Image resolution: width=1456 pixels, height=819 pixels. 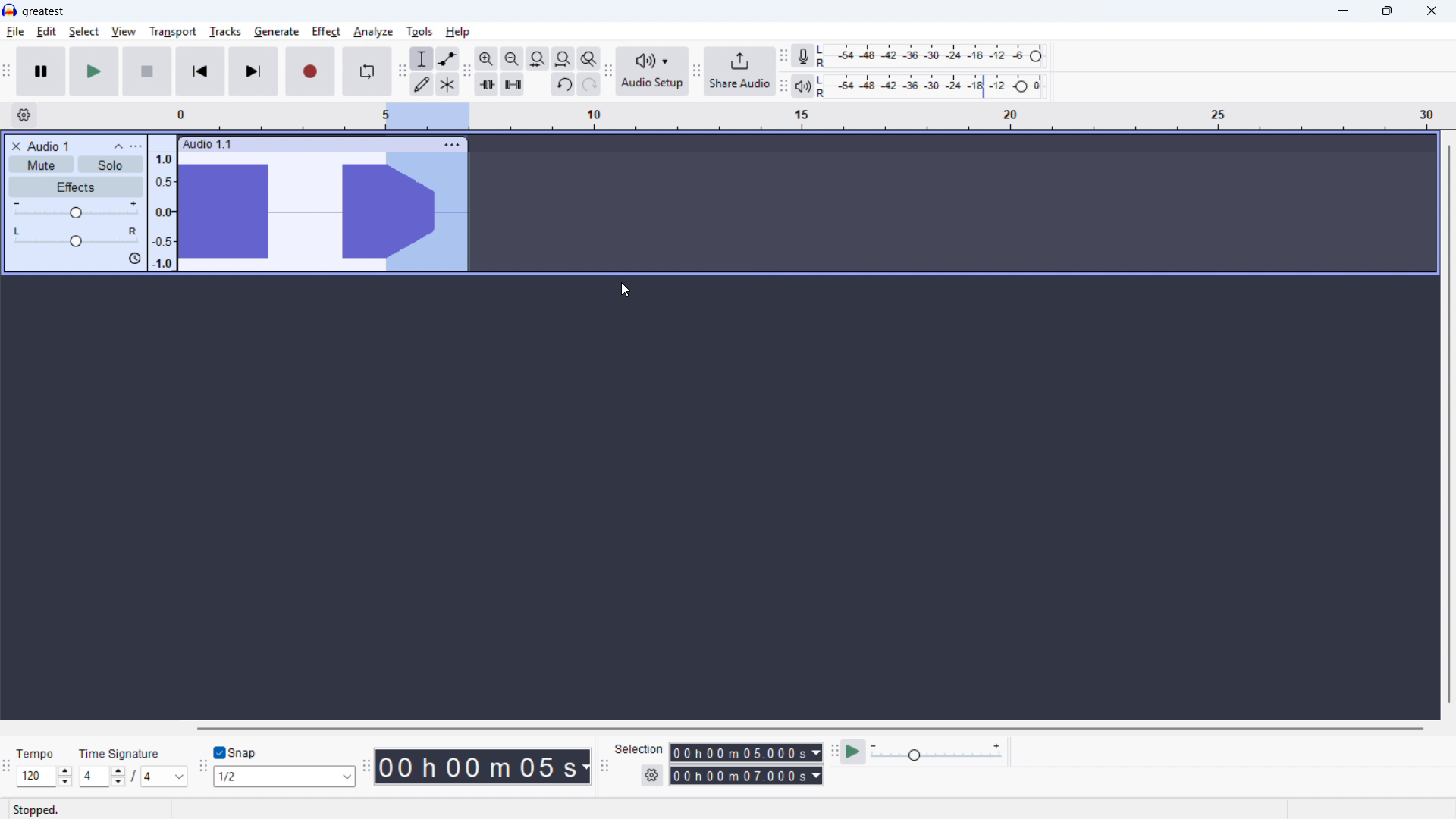 What do you see at coordinates (84, 32) in the screenshot?
I see `select` at bounding box center [84, 32].